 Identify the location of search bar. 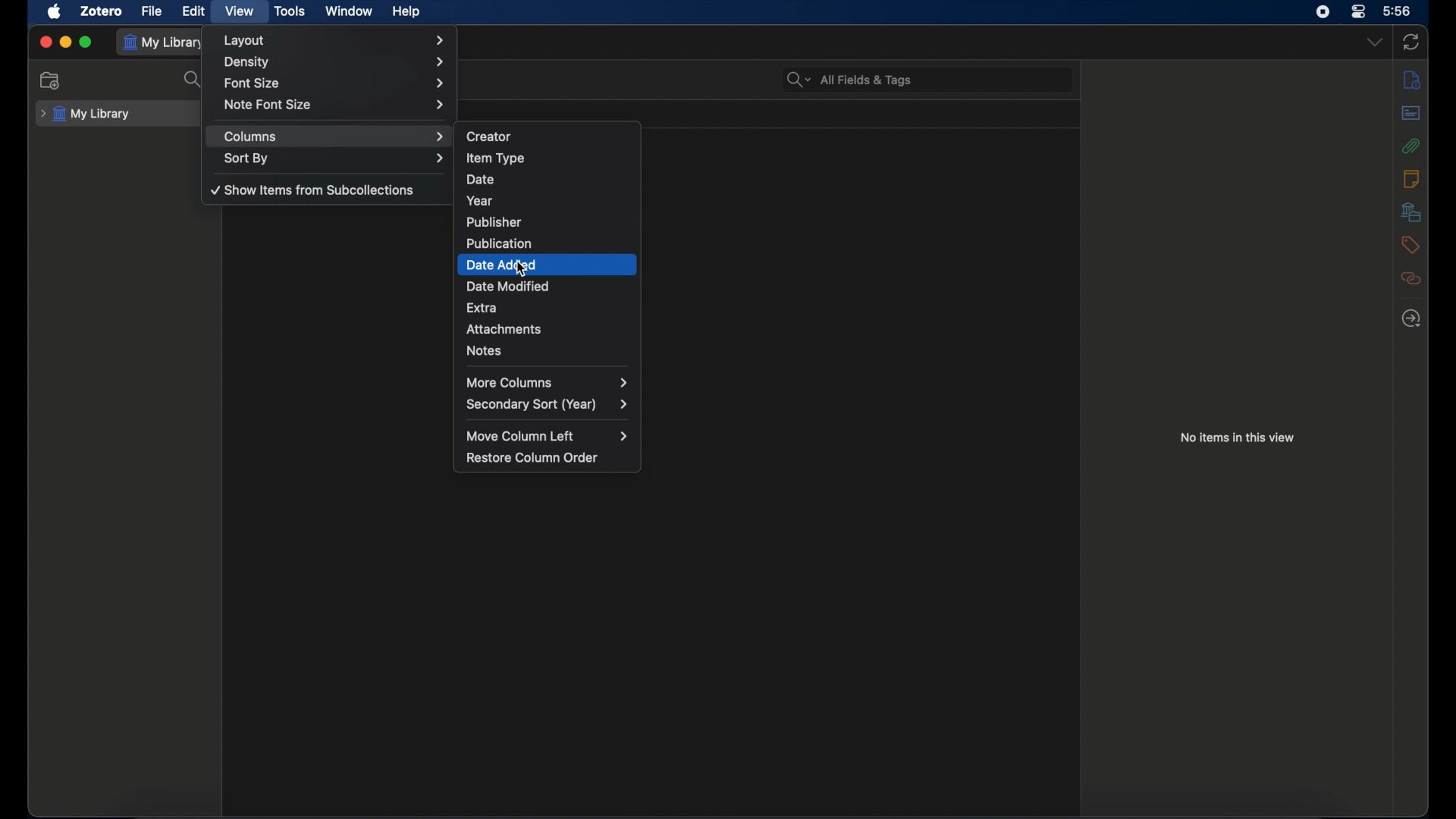
(849, 79).